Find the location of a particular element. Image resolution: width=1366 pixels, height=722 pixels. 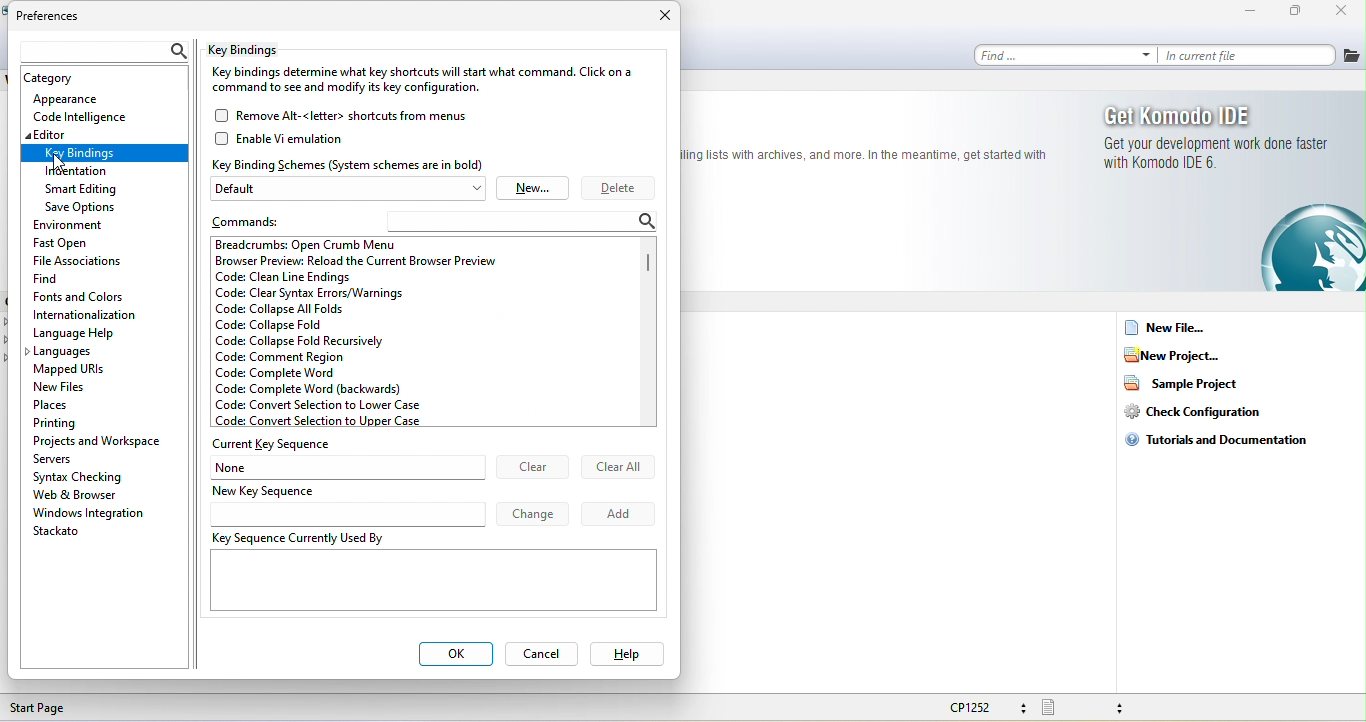

appearance is located at coordinates (78, 98).